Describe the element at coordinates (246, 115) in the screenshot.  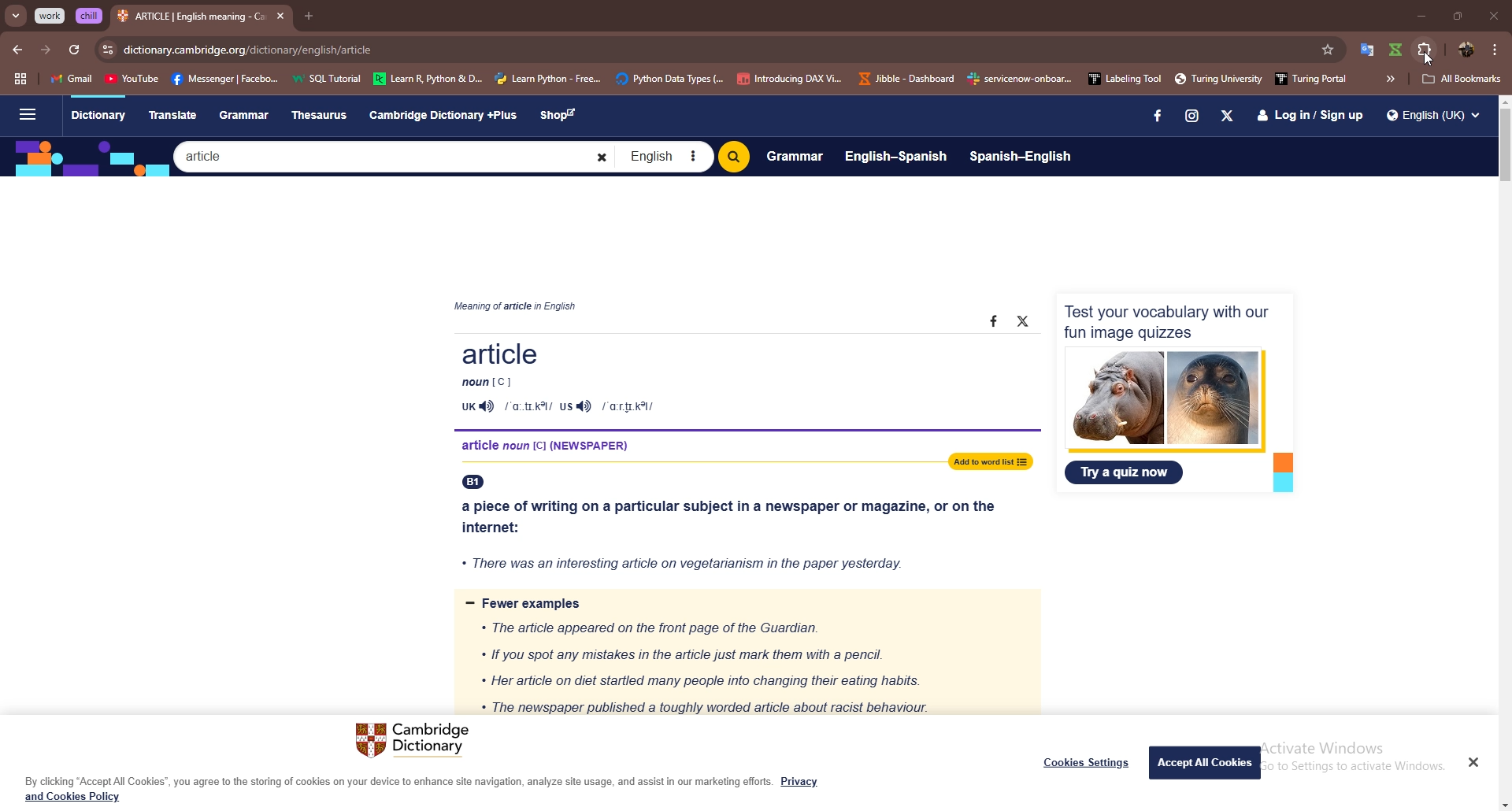
I see `Grammar` at that location.